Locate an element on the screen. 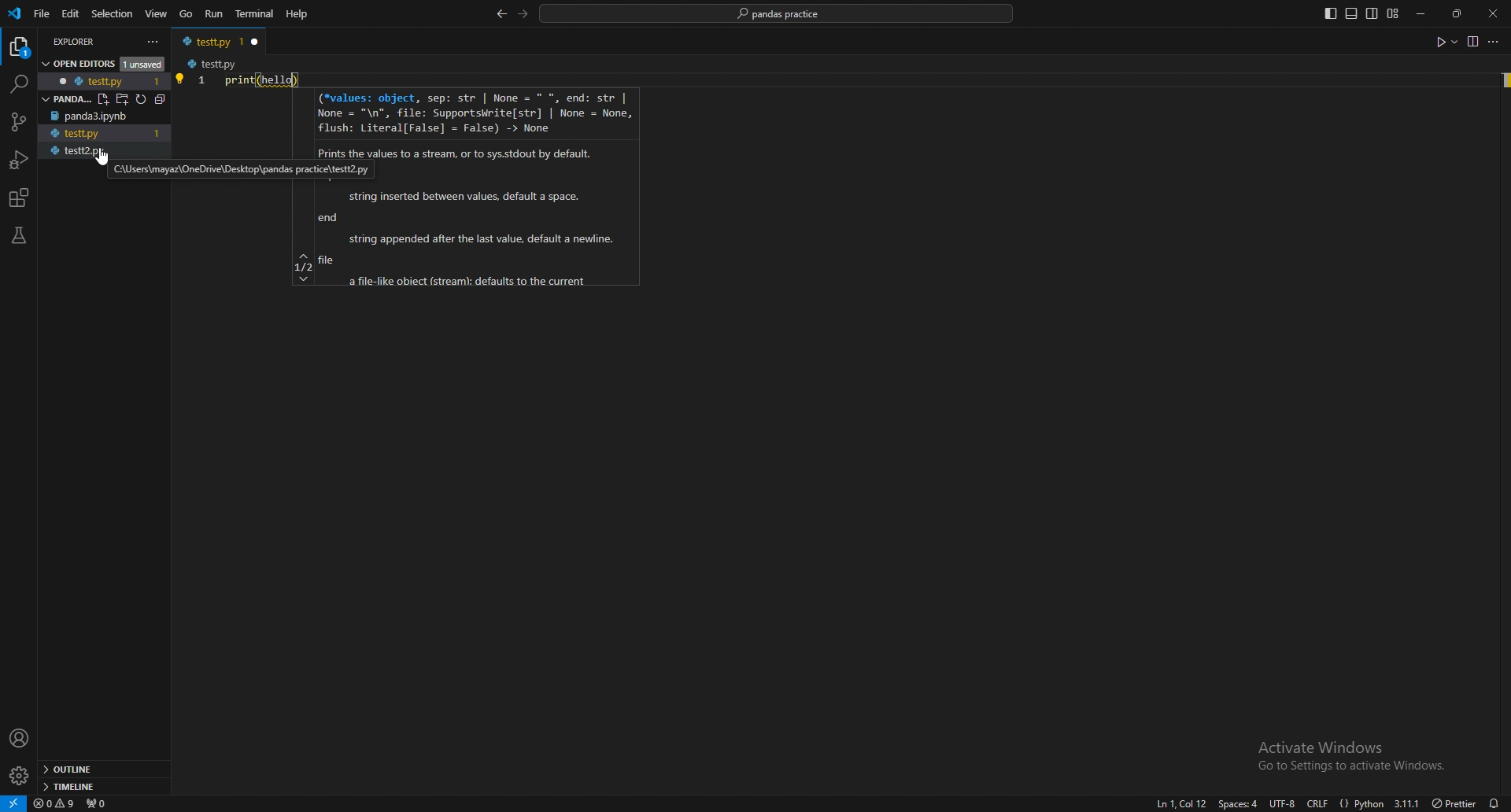  utf-8 is located at coordinates (1280, 803).